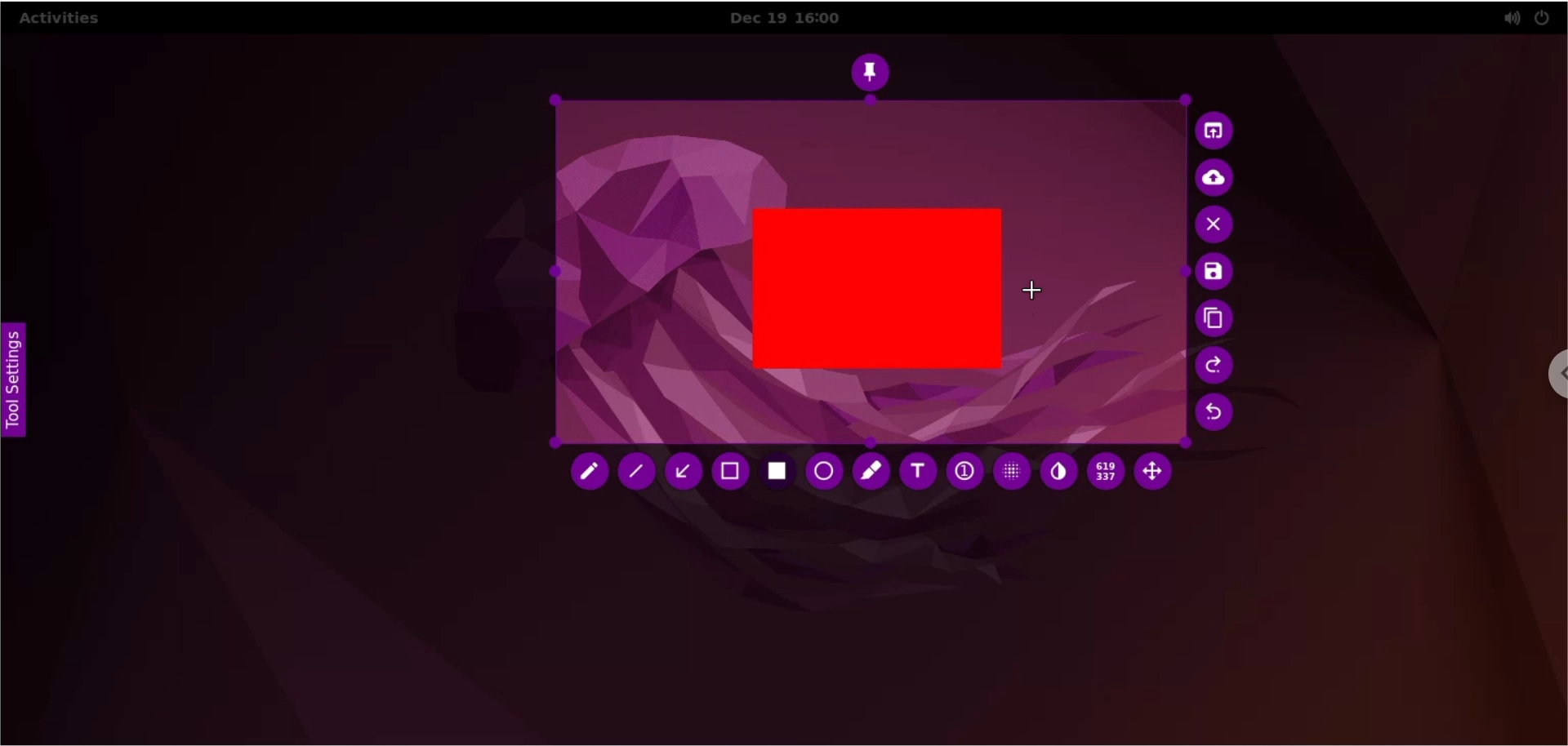  I want to click on upload , so click(1221, 178).